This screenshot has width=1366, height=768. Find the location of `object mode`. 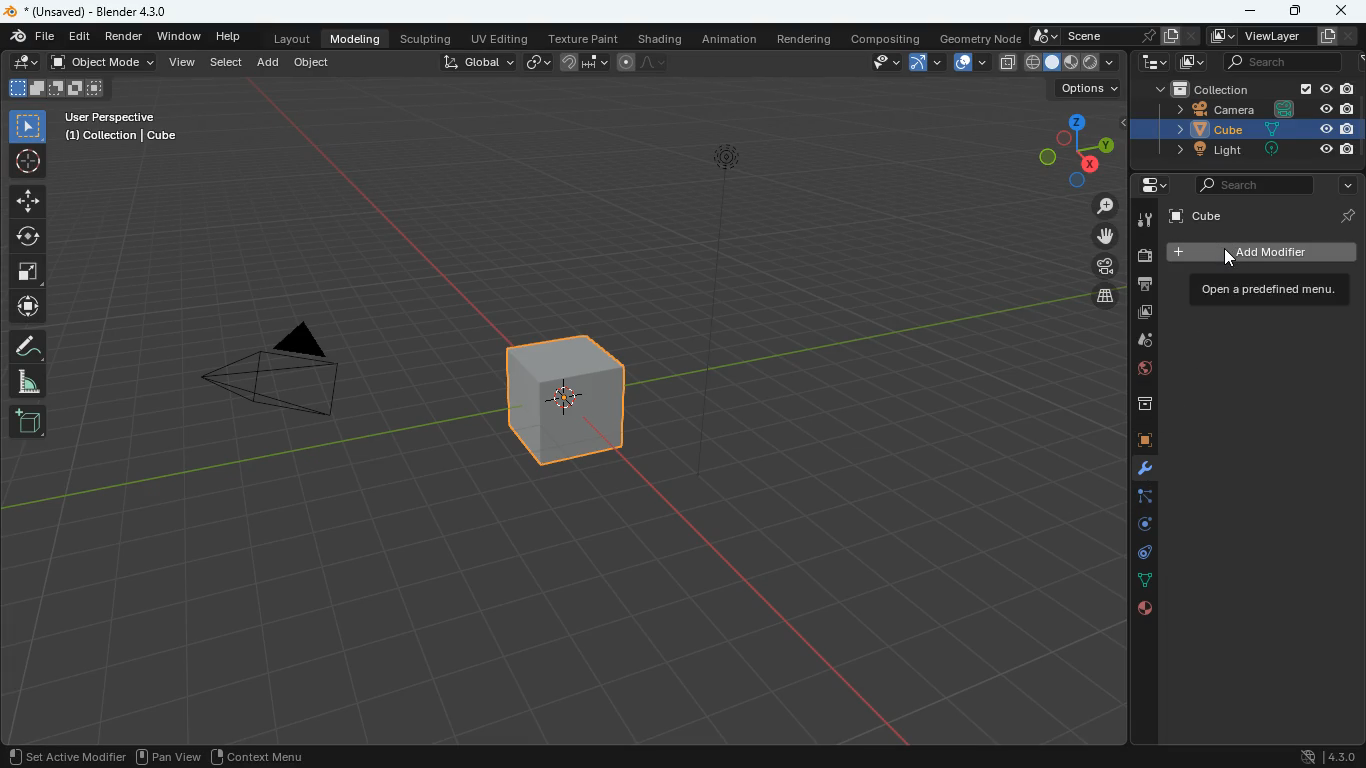

object mode is located at coordinates (102, 63).